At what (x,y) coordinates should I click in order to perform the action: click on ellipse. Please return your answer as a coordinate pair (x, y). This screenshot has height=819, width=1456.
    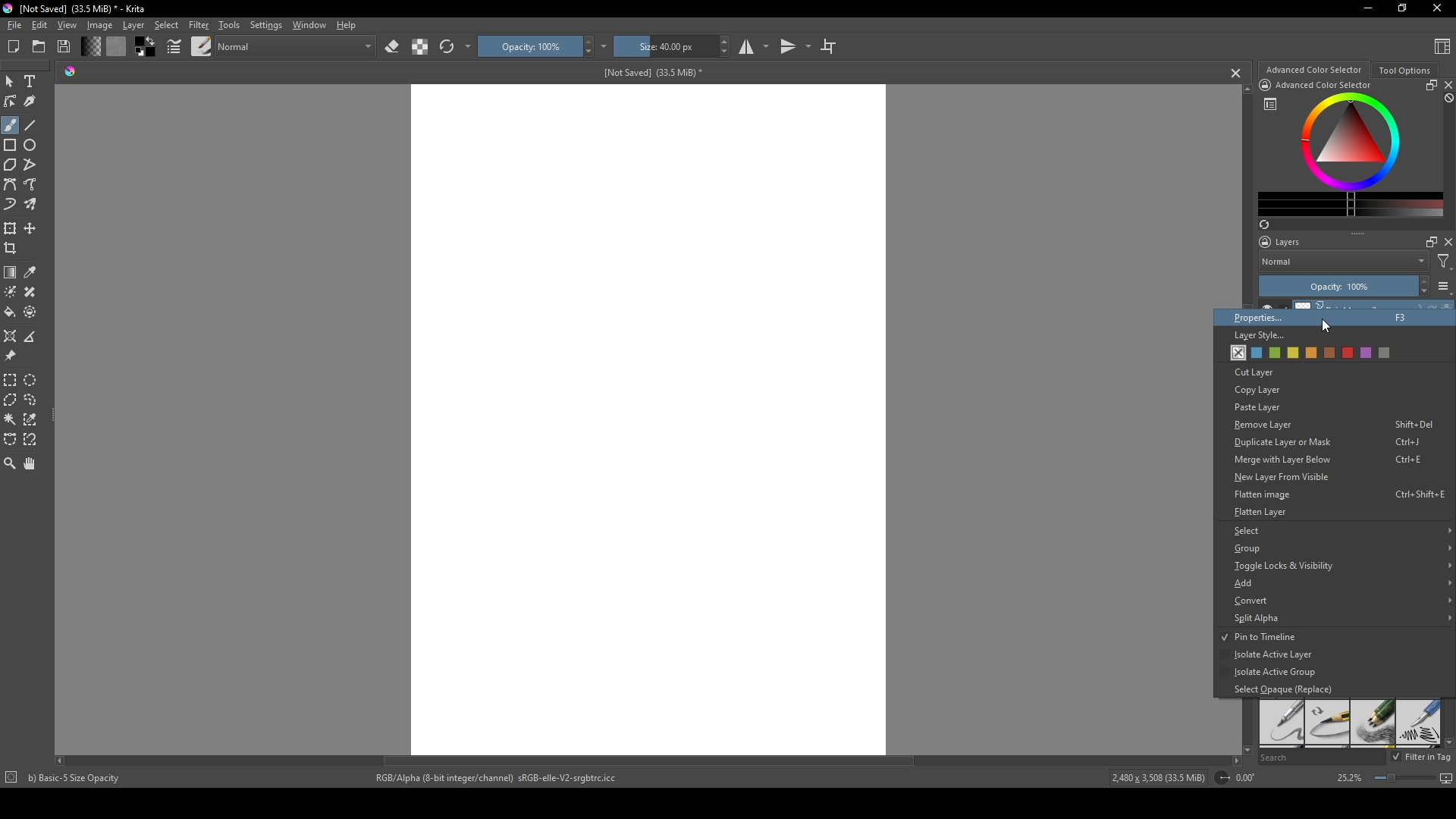
    Looking at the image, I should click on (31, 145).